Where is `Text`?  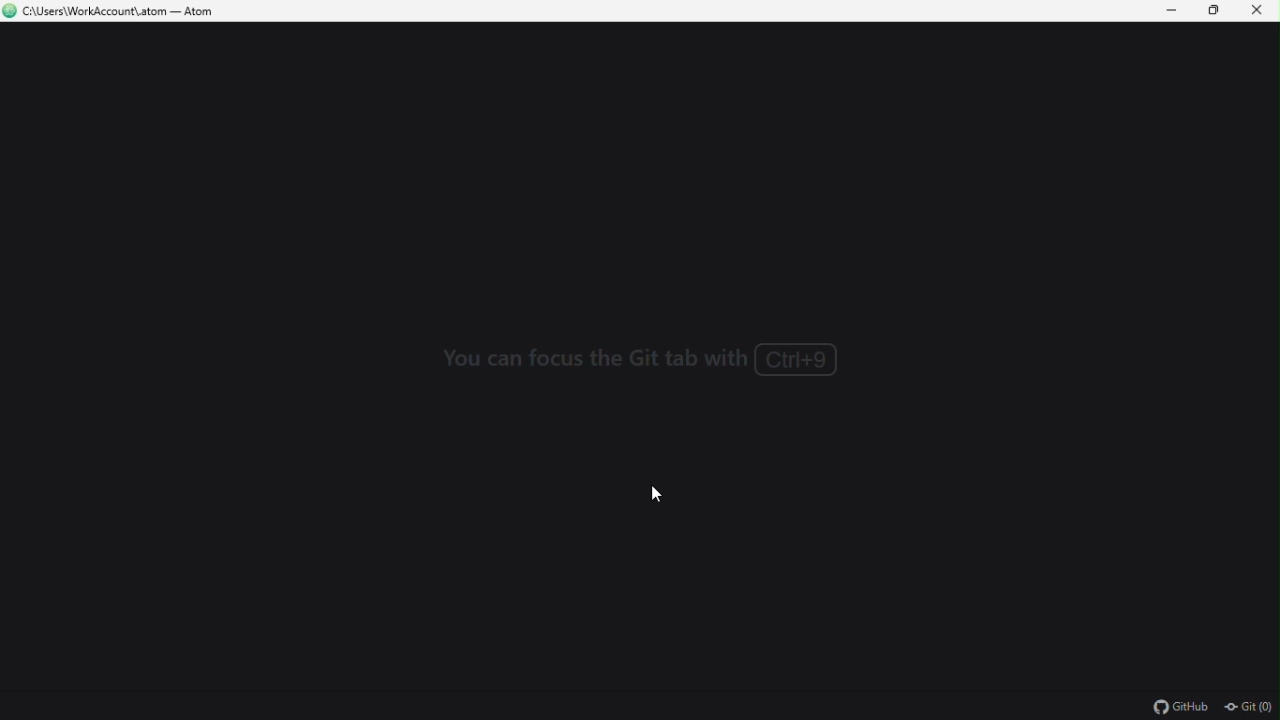
Text is located at coordinates (646, 370).